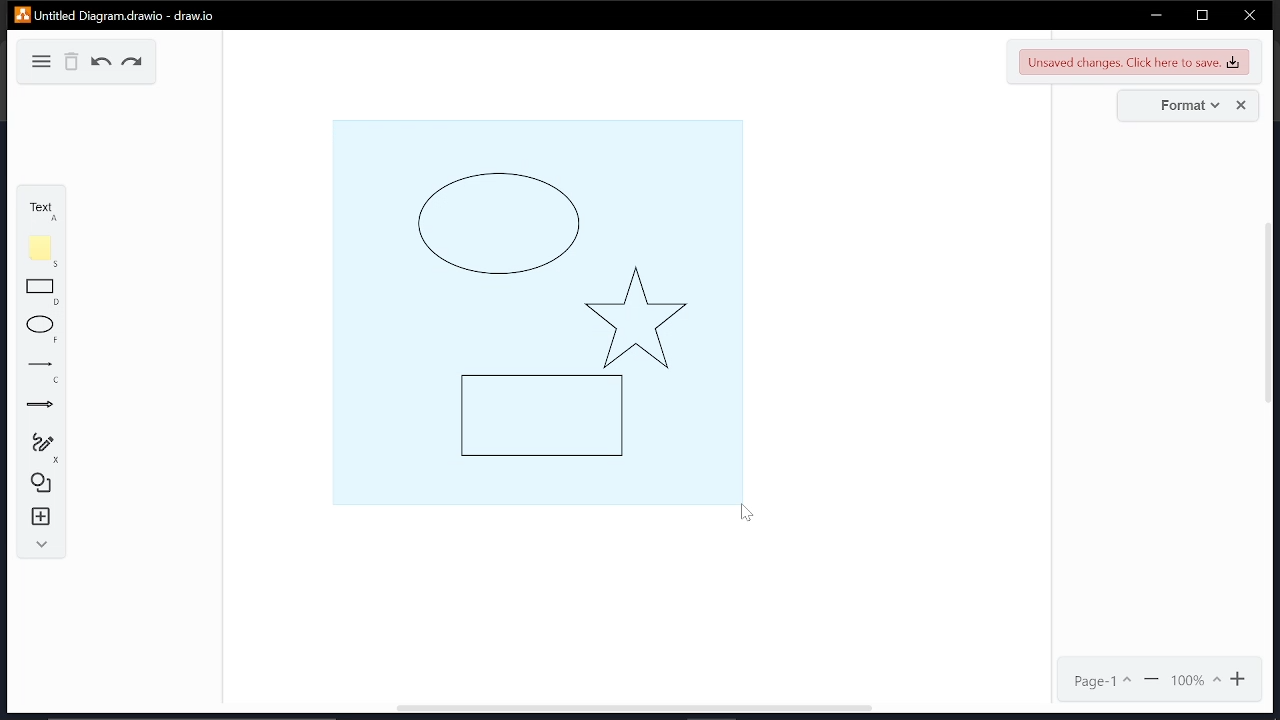 The image size is (1280, 720). Describe the element at coordinates (133, 64) in the screenshot. I see `redo` at that location.